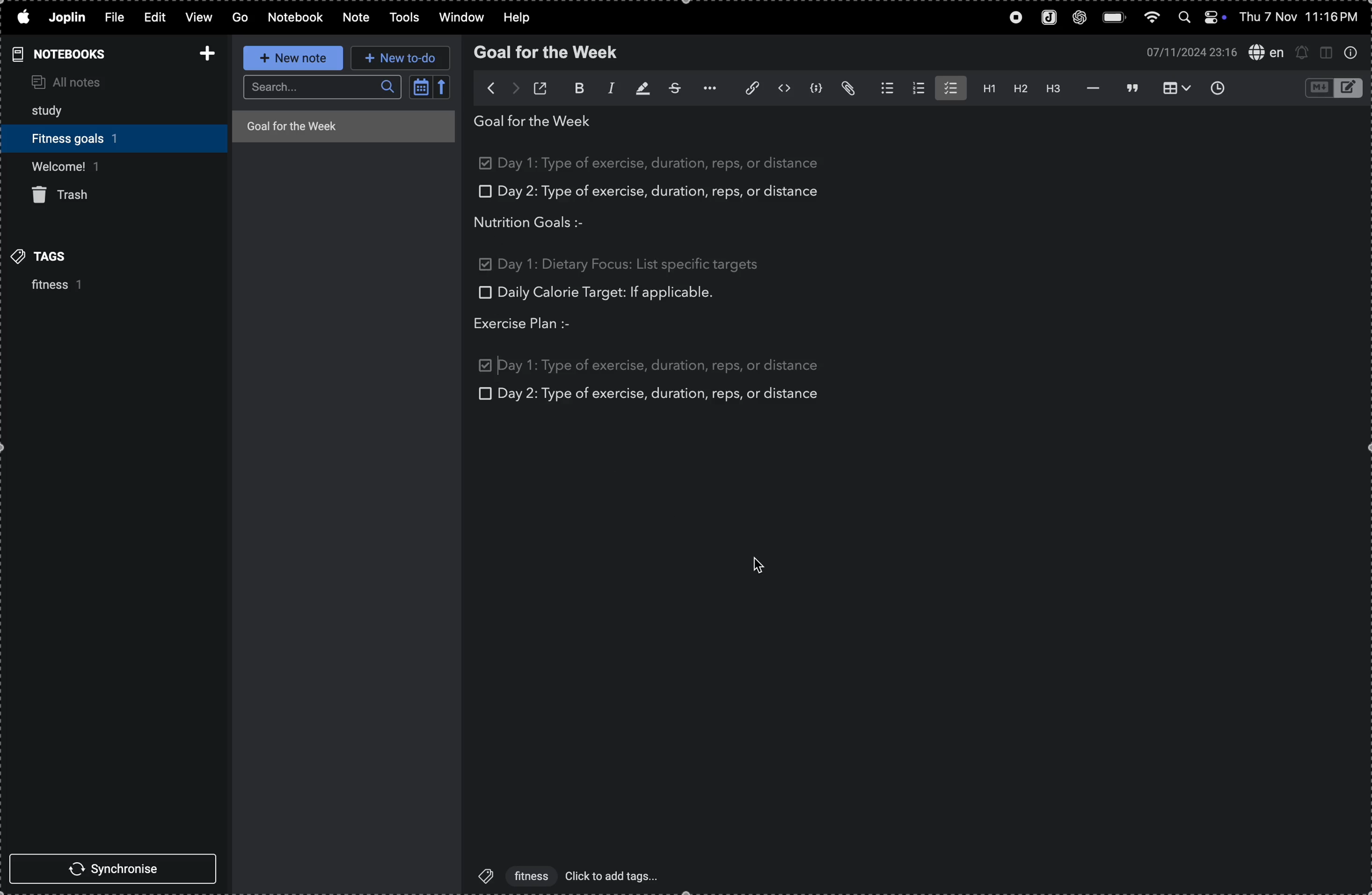  Describe the element at coordinates (487, 165) in the screenshot. I see `check box` at that location.